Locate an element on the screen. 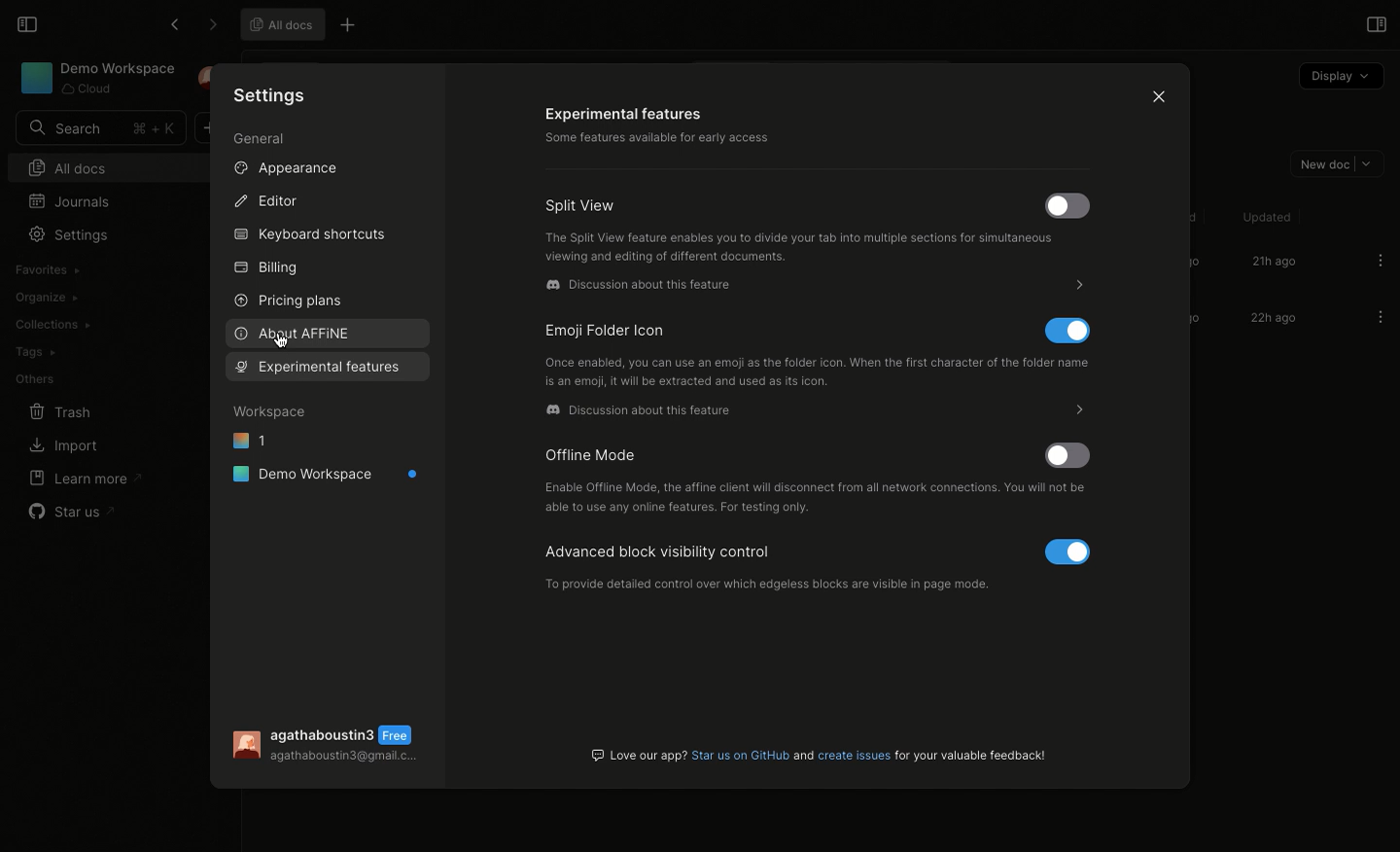 The width and height of the screenshot is (1400, 852). Options is located at coordinates (1380, 318).